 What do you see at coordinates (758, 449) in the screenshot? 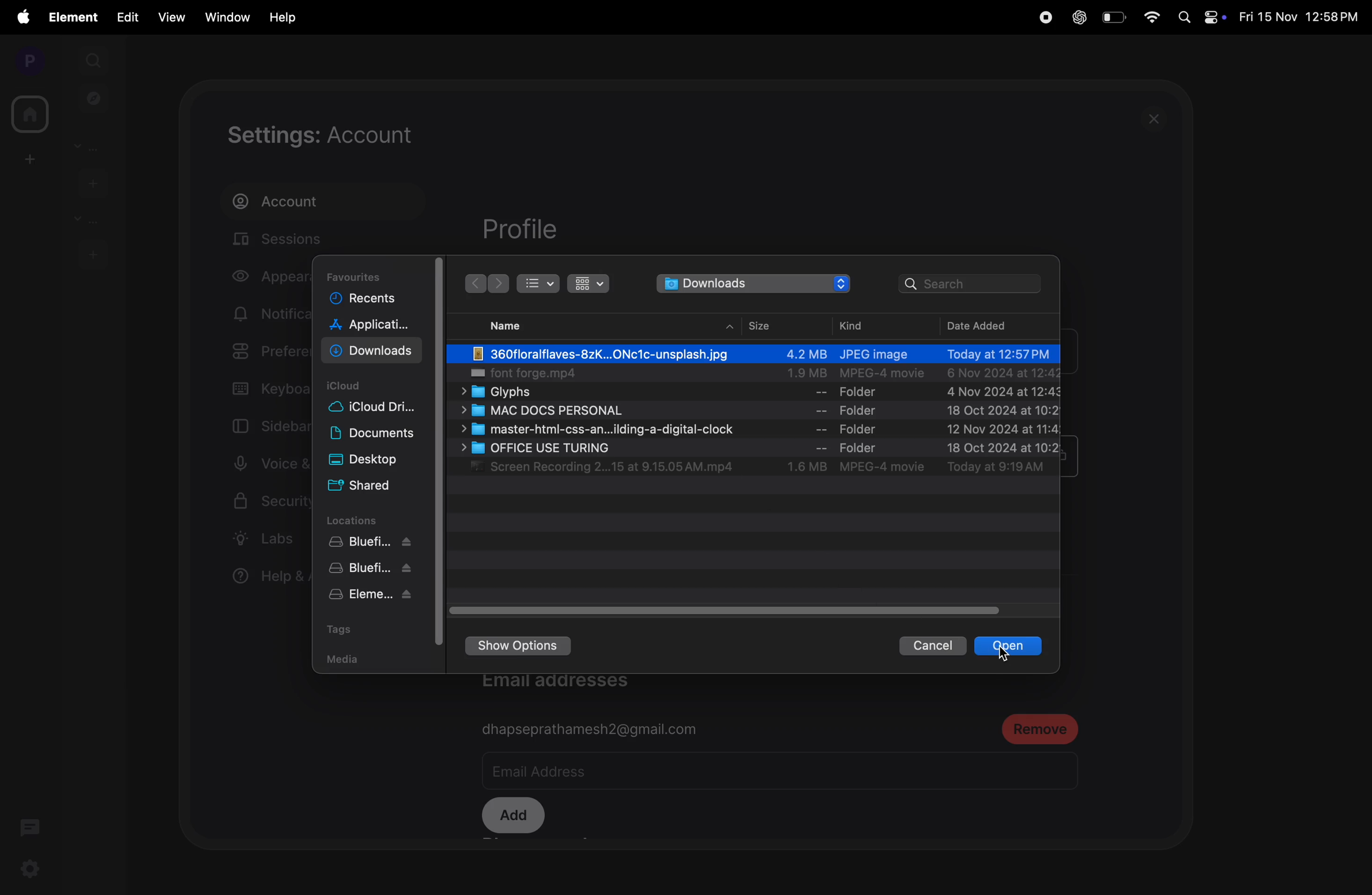
I see `office use turing` at bounding box center [758, 449].